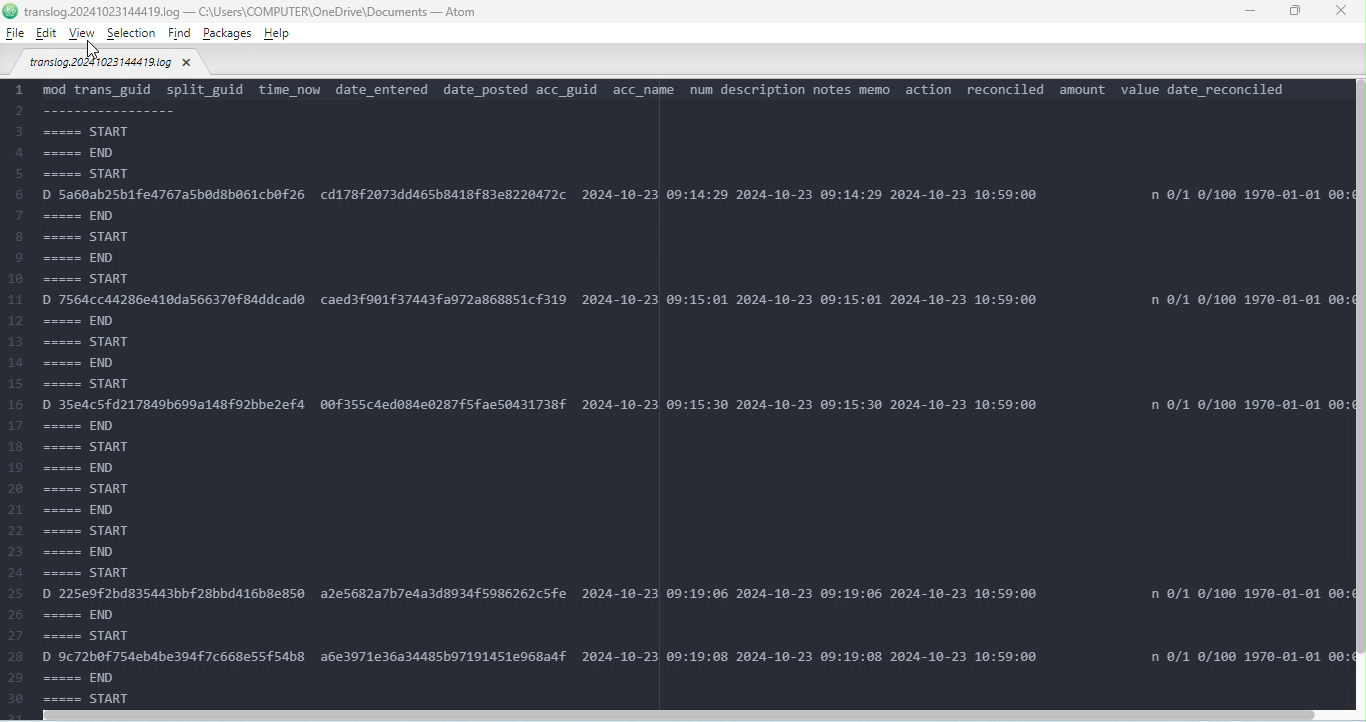  Describe the element at coordinates (688, 714) in the screenshot. I see `Horizontal scroll bar` at that location.